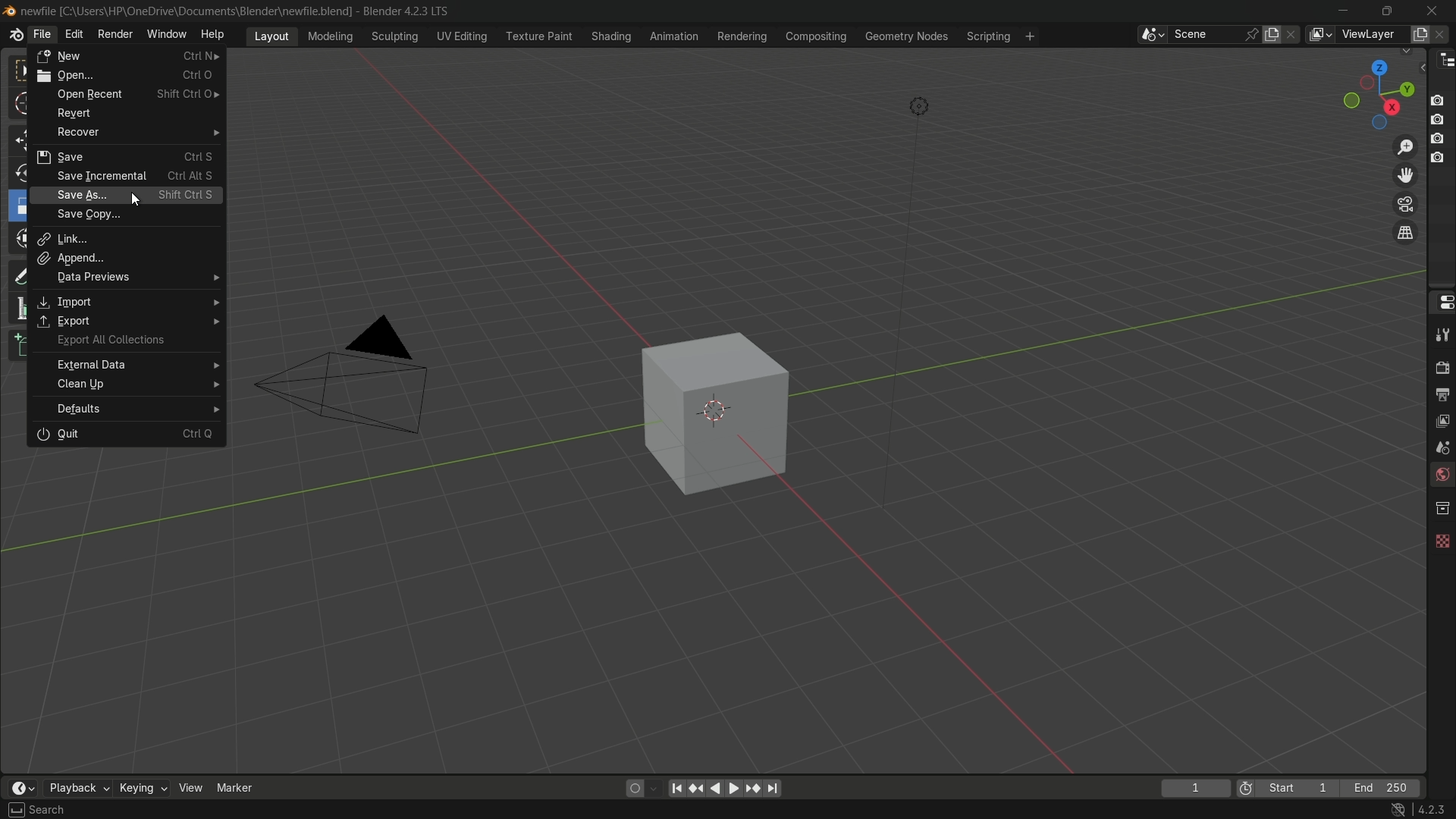 This screenshot has width=1456, height=819. I want to click on minimize, so click(1344, 11).